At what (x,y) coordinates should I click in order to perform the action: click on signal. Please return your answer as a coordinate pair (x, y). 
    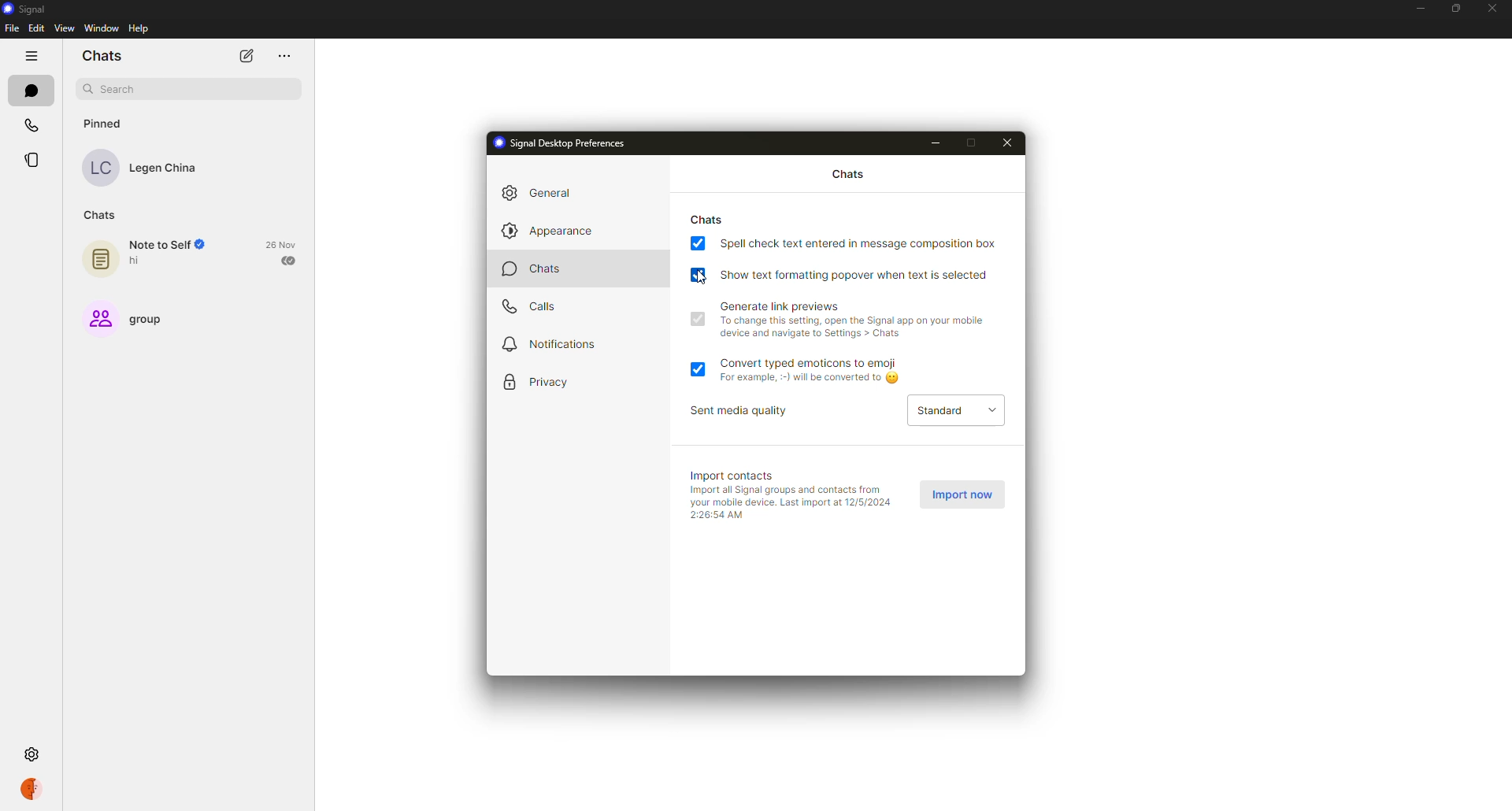
    Looking at the image, I should click on (30, 10).